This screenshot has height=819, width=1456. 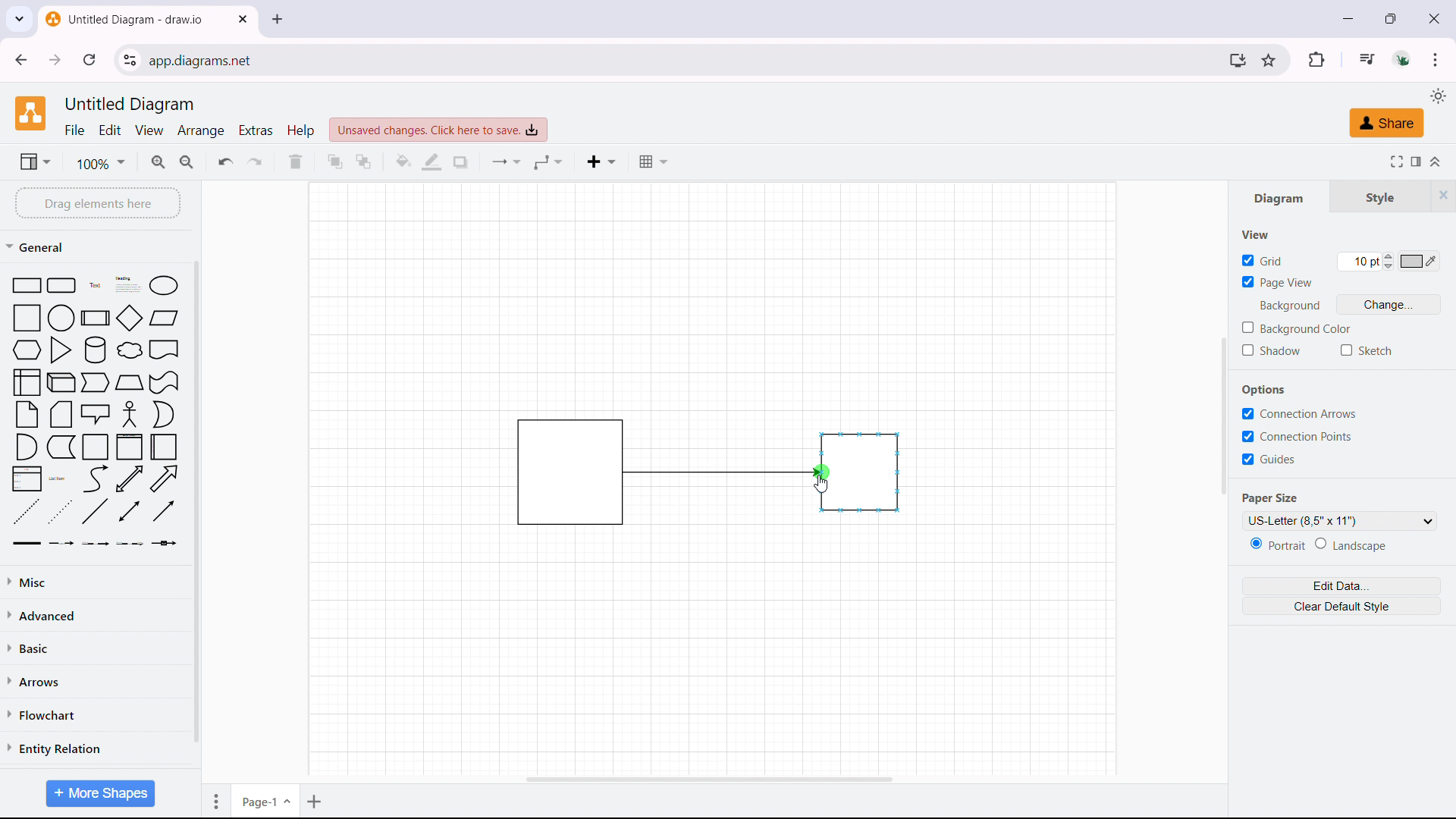 I want to click on collapse/expand, so click(x=1438, y=160).